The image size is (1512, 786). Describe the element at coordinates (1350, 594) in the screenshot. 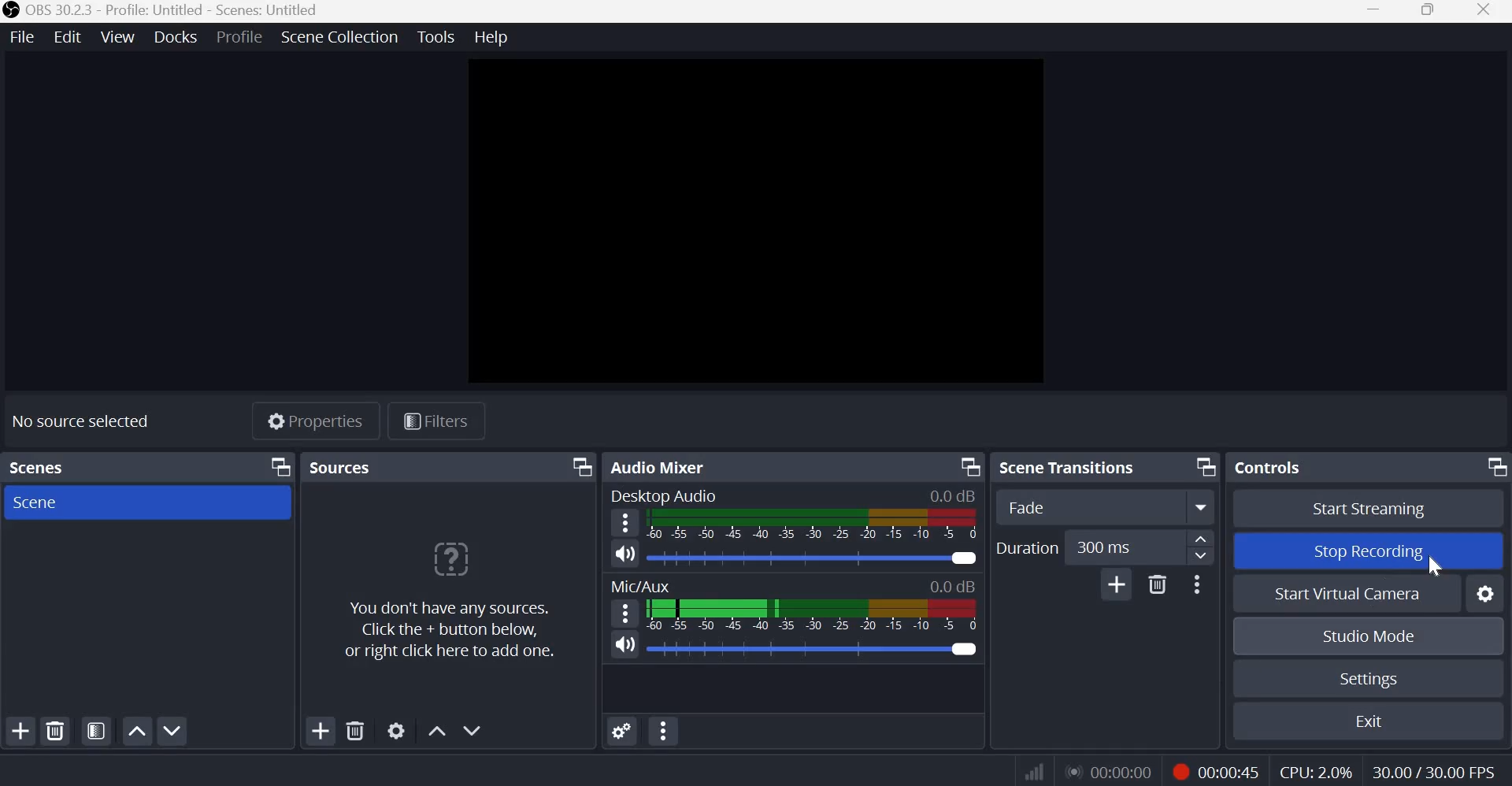

I see `Start Virtual Camera` at that location.